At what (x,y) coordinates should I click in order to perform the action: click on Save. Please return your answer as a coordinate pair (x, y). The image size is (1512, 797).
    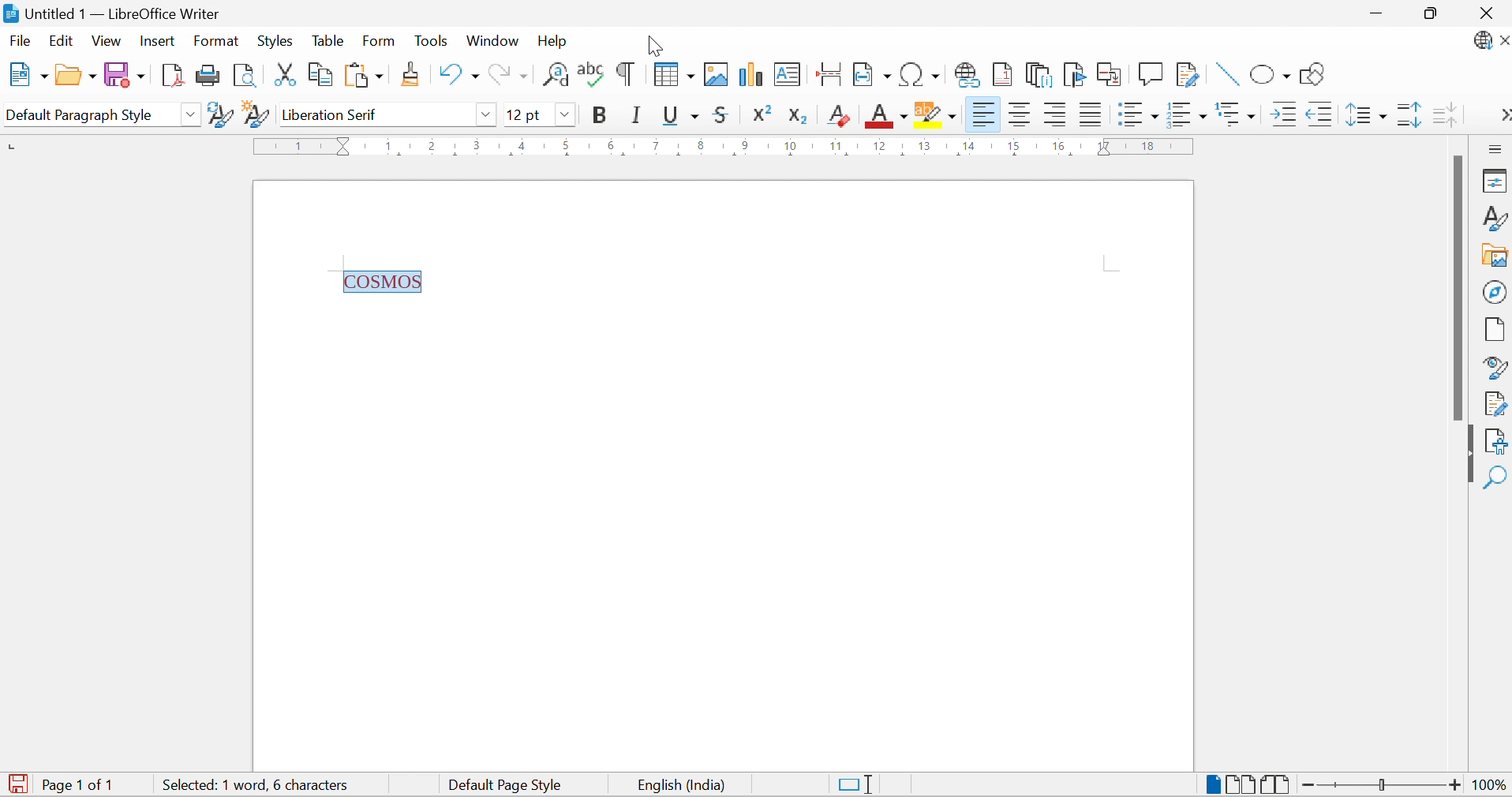
    Looking at the image, I should click on (123, 74).